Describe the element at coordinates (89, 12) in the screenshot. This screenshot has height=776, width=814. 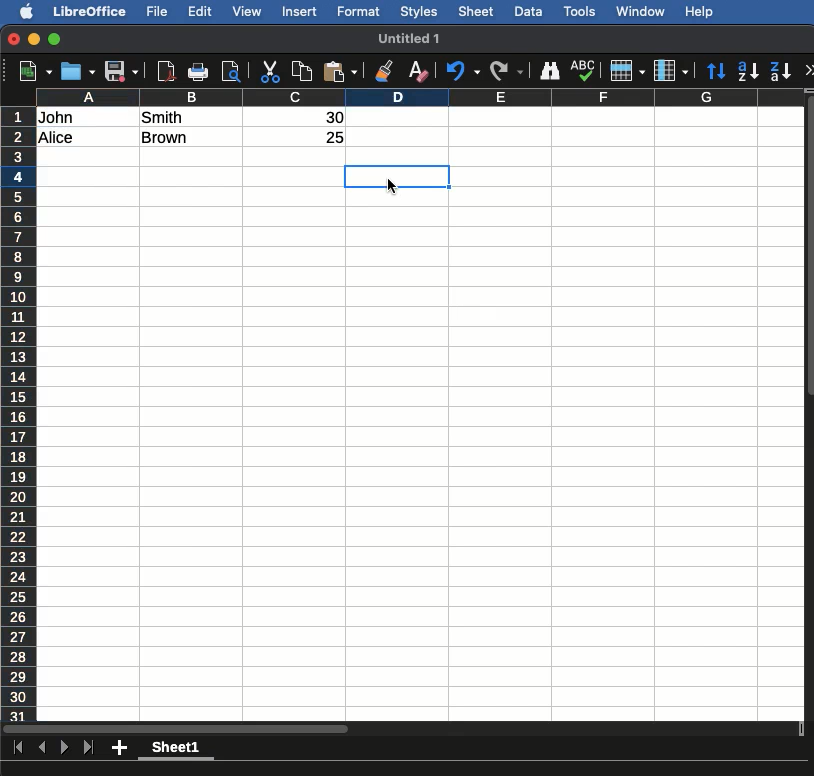
I see `Libreoffice` at that location.